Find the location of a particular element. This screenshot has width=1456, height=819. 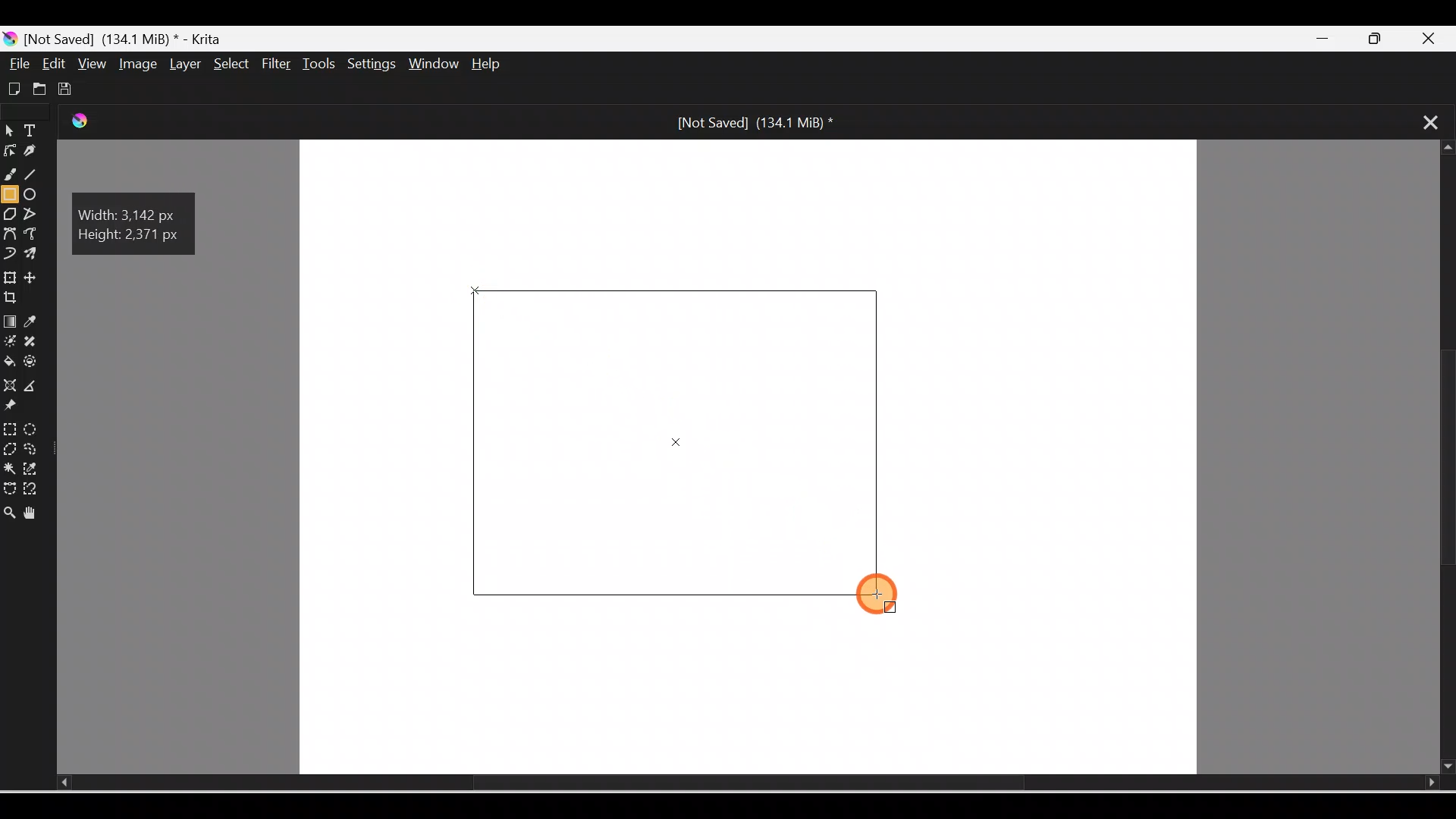

Krita Logo is located at coordinates (92, 127).